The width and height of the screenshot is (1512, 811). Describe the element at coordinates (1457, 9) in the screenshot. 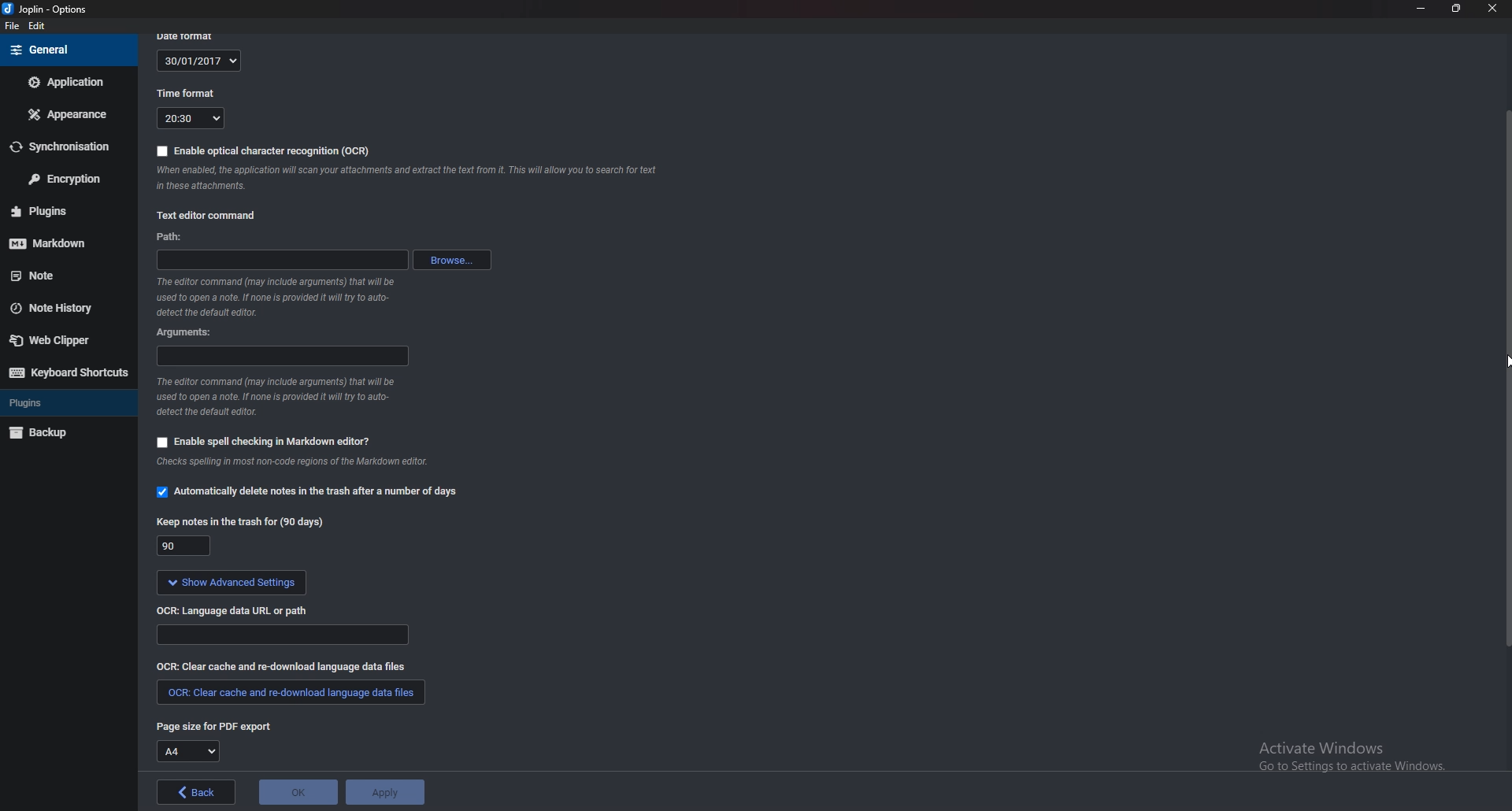

I see `Resize` at that location.